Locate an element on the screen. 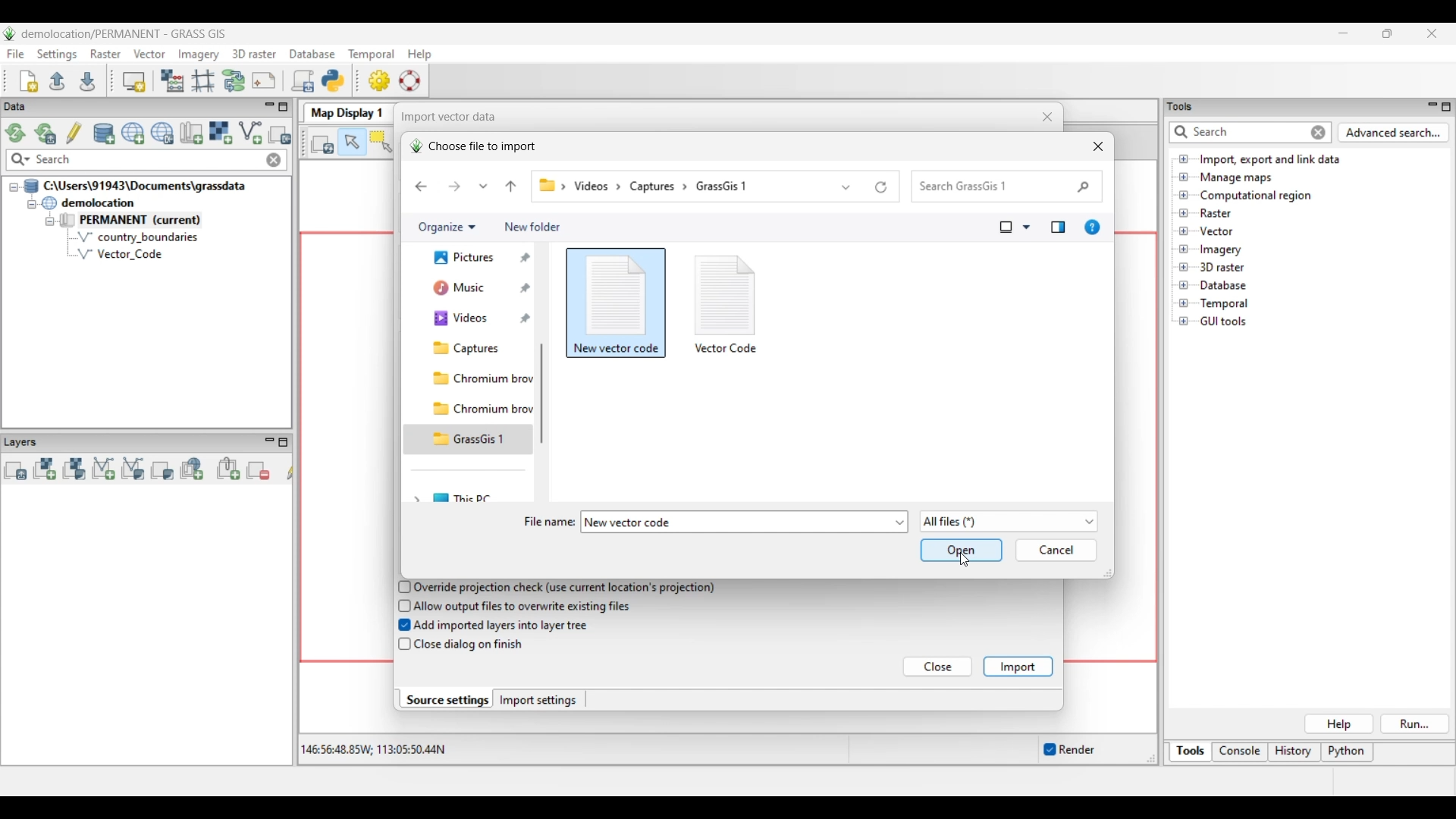 Image resolution: width=1456 pixels, height=819 pixels. Save current workspace to file is located at coordinates (87, 80).